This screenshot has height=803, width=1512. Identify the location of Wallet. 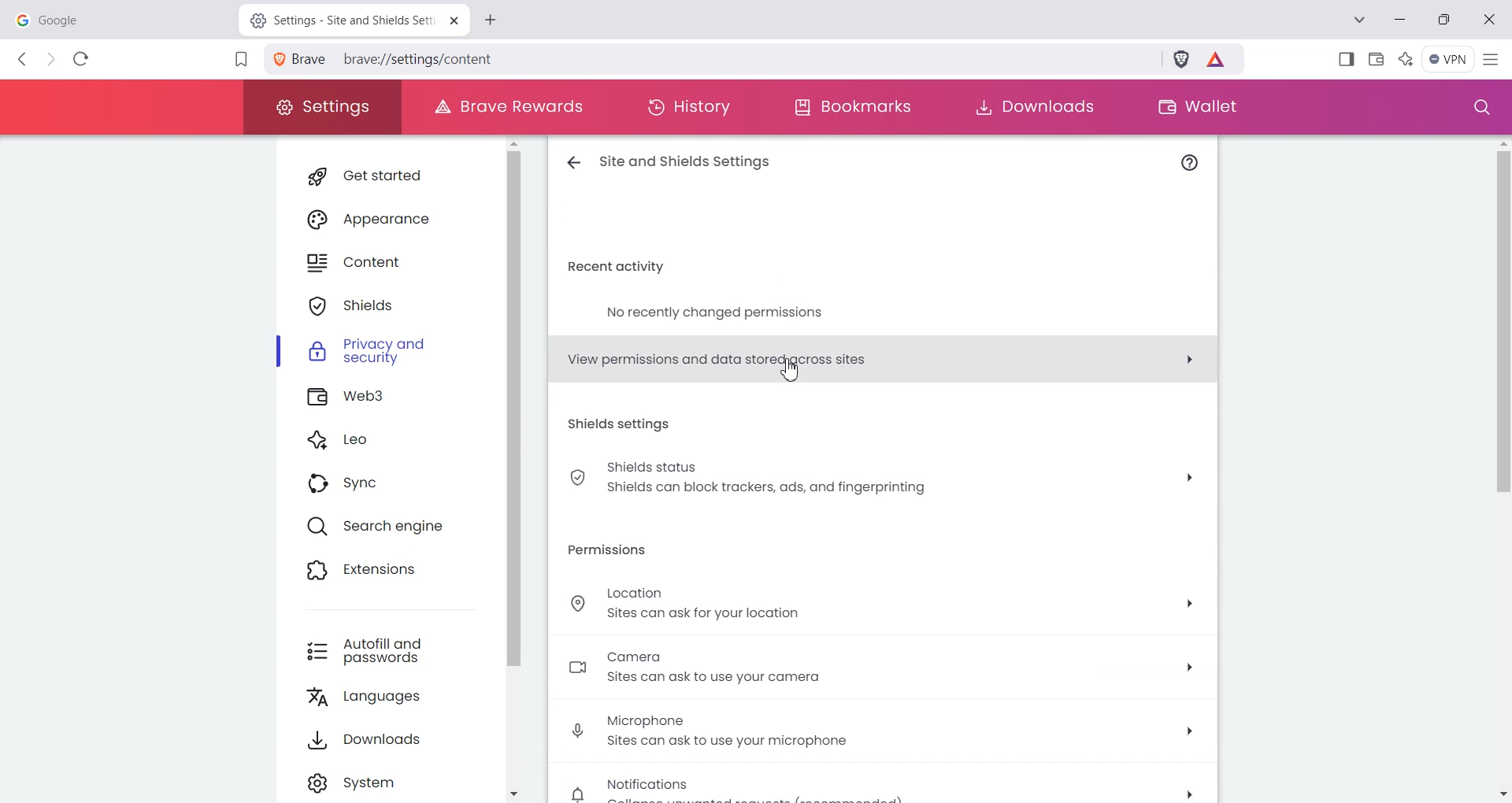
(1195, 107).